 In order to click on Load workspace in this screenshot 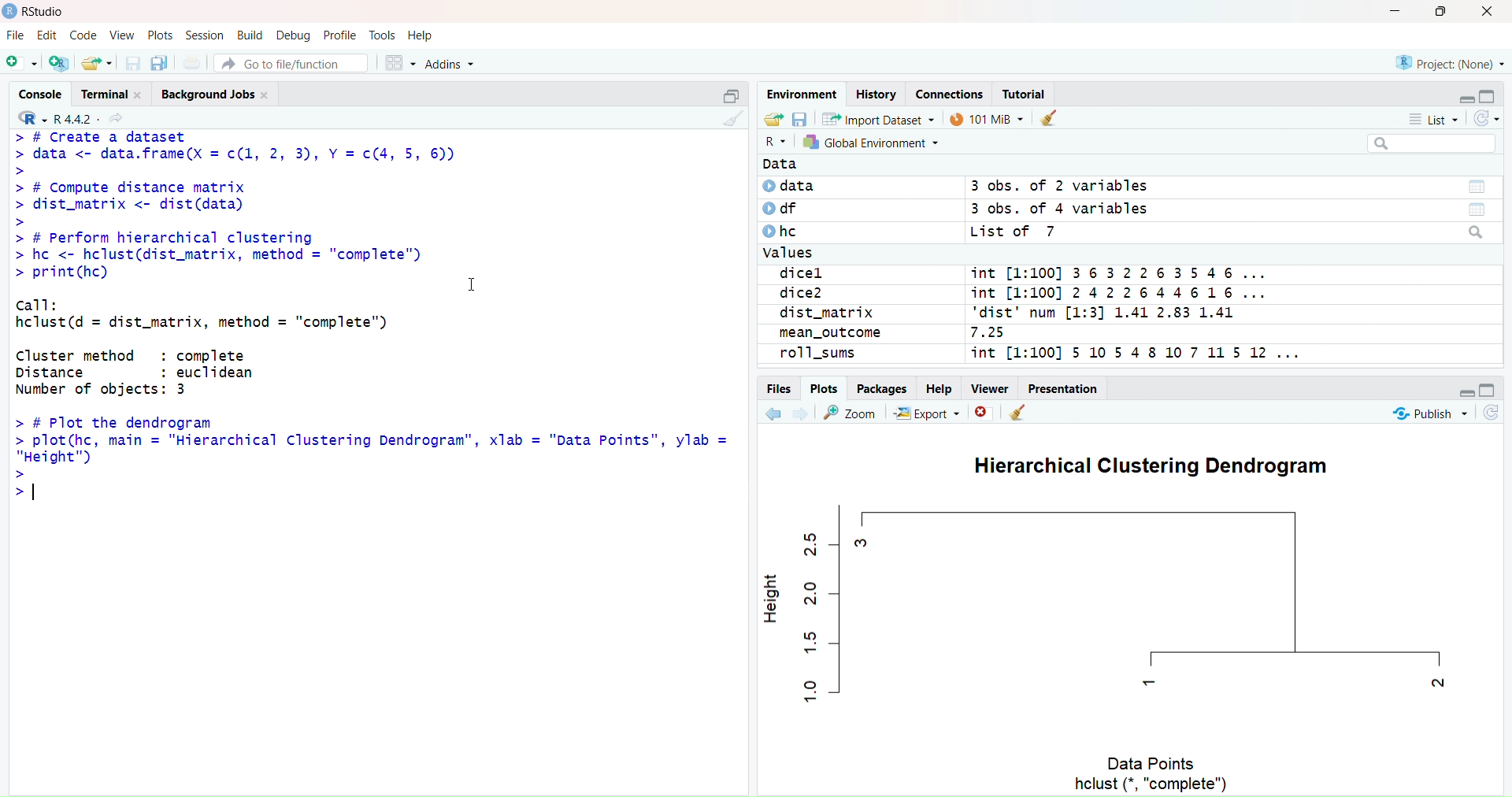, I will do `click(772, 118)`.